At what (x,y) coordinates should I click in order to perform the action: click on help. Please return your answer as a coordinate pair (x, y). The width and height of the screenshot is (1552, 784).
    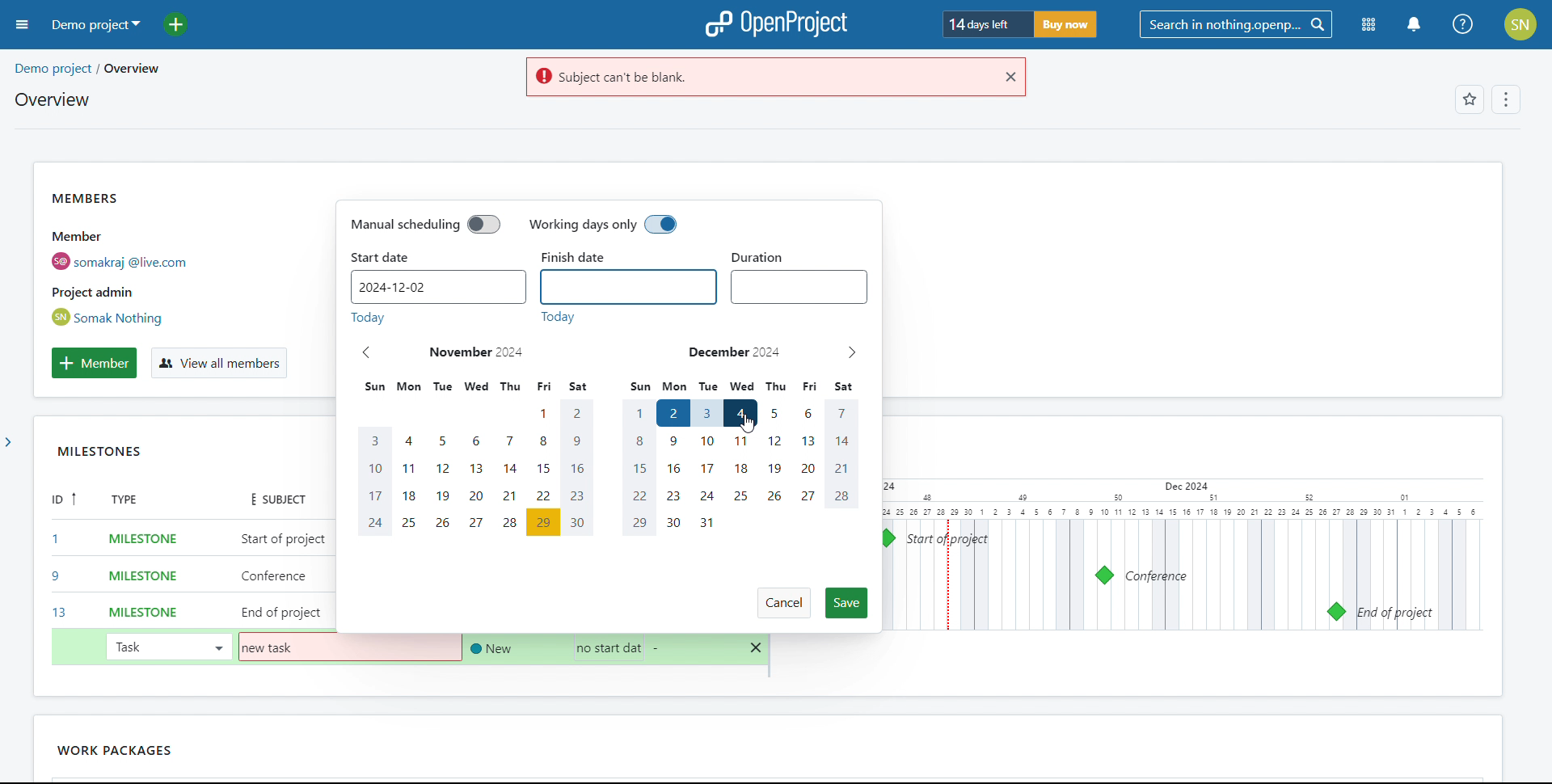
    Looking at the image, I should click on (1464, 24).